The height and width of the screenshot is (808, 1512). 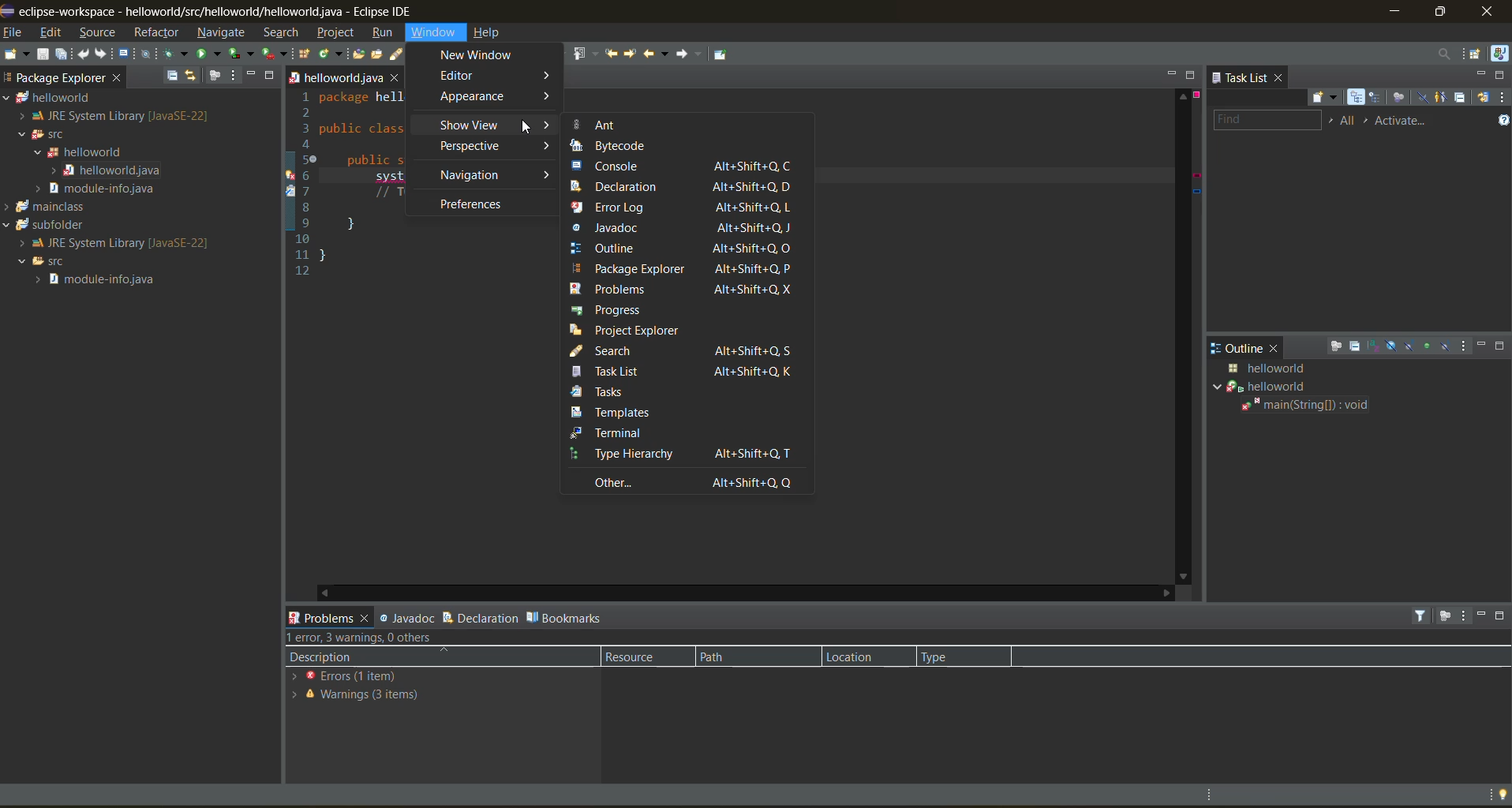 What do you see at coordinates (210, 54) in the screenshot?
I see `run` at bounding box center [210, 54].